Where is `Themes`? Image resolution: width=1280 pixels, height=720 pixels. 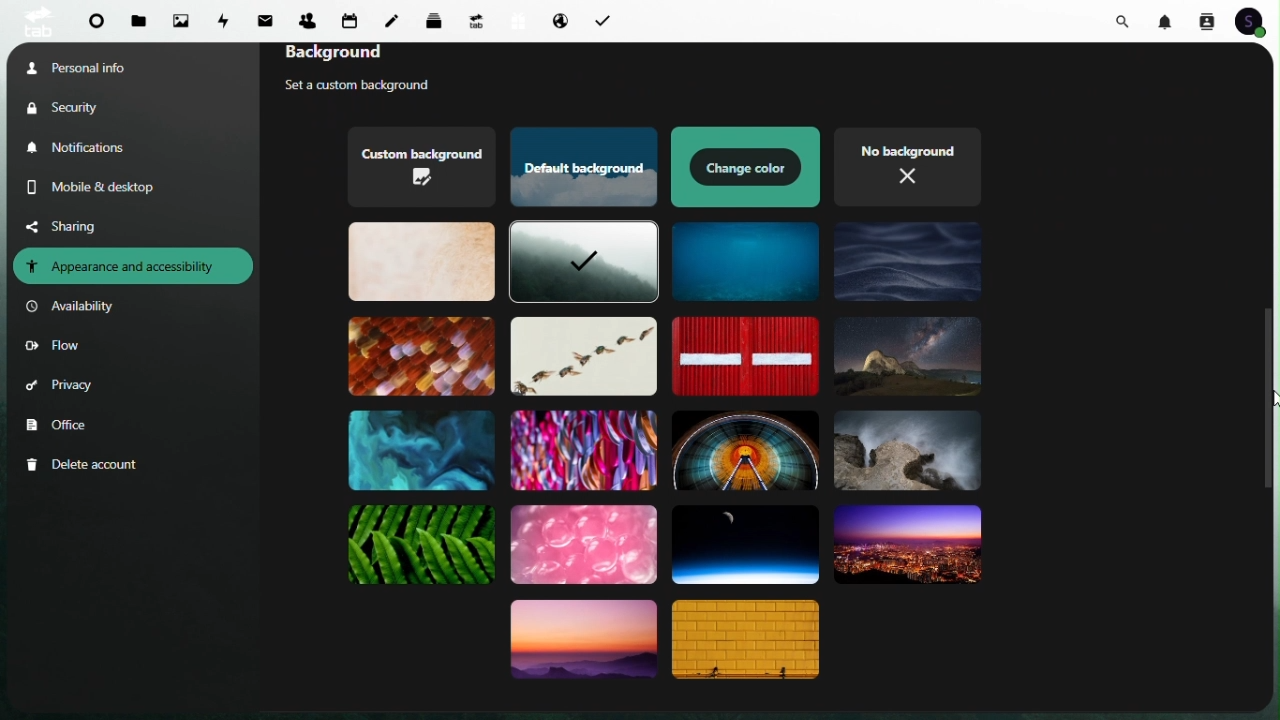
Themes is located at coordinates (744, 542).